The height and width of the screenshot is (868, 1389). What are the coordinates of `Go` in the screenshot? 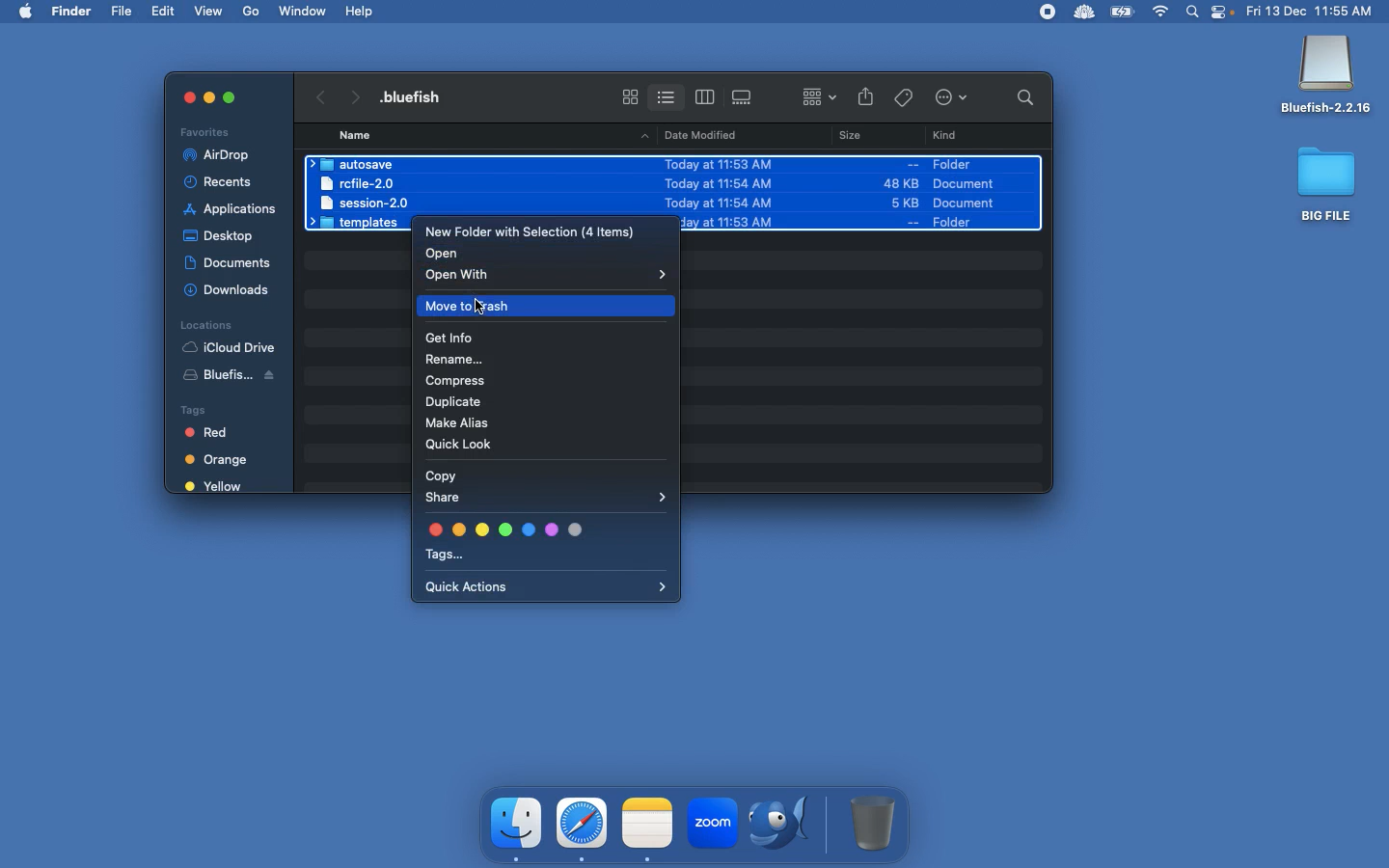 It's located at (253, 12).